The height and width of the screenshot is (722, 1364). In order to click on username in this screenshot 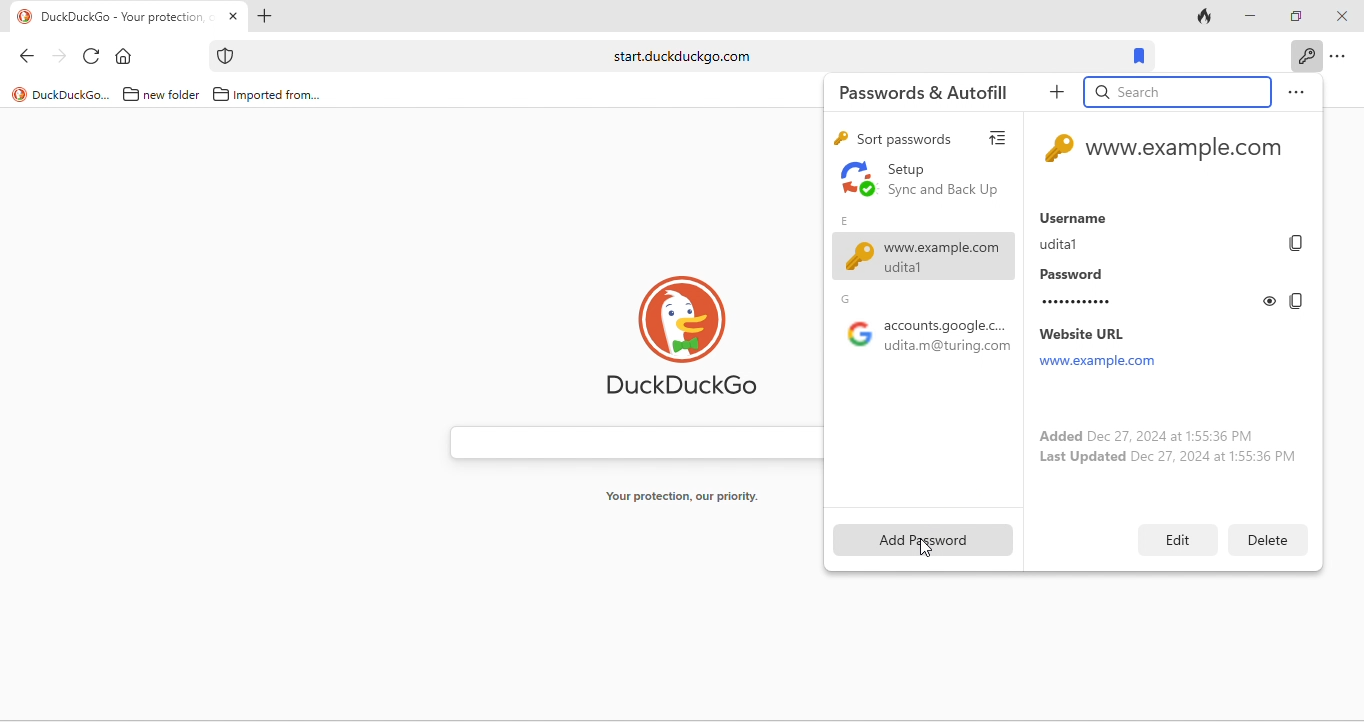, I will do `click(1073, 216)`.